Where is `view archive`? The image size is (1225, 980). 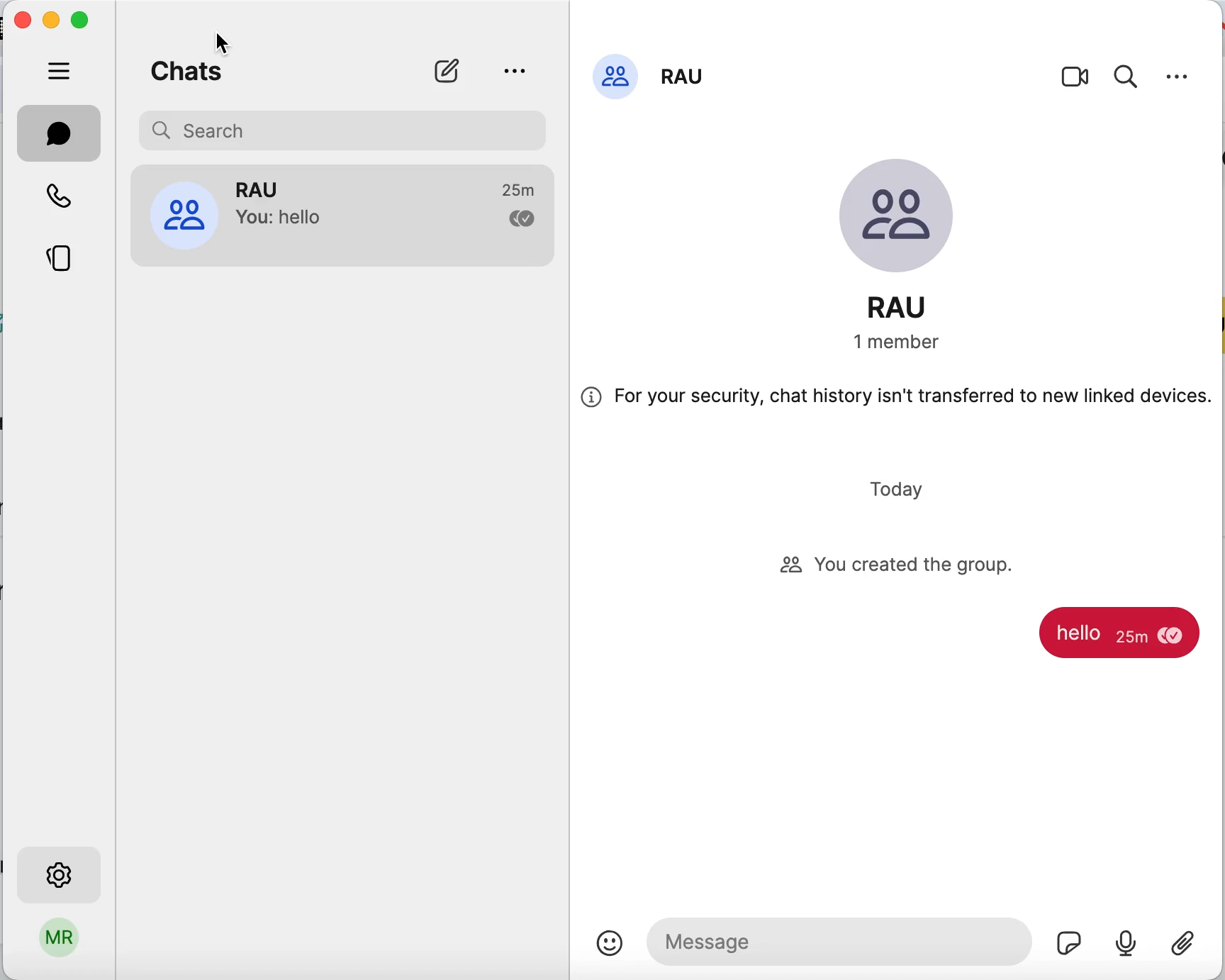
view archive is located at coordinates (518, 72).